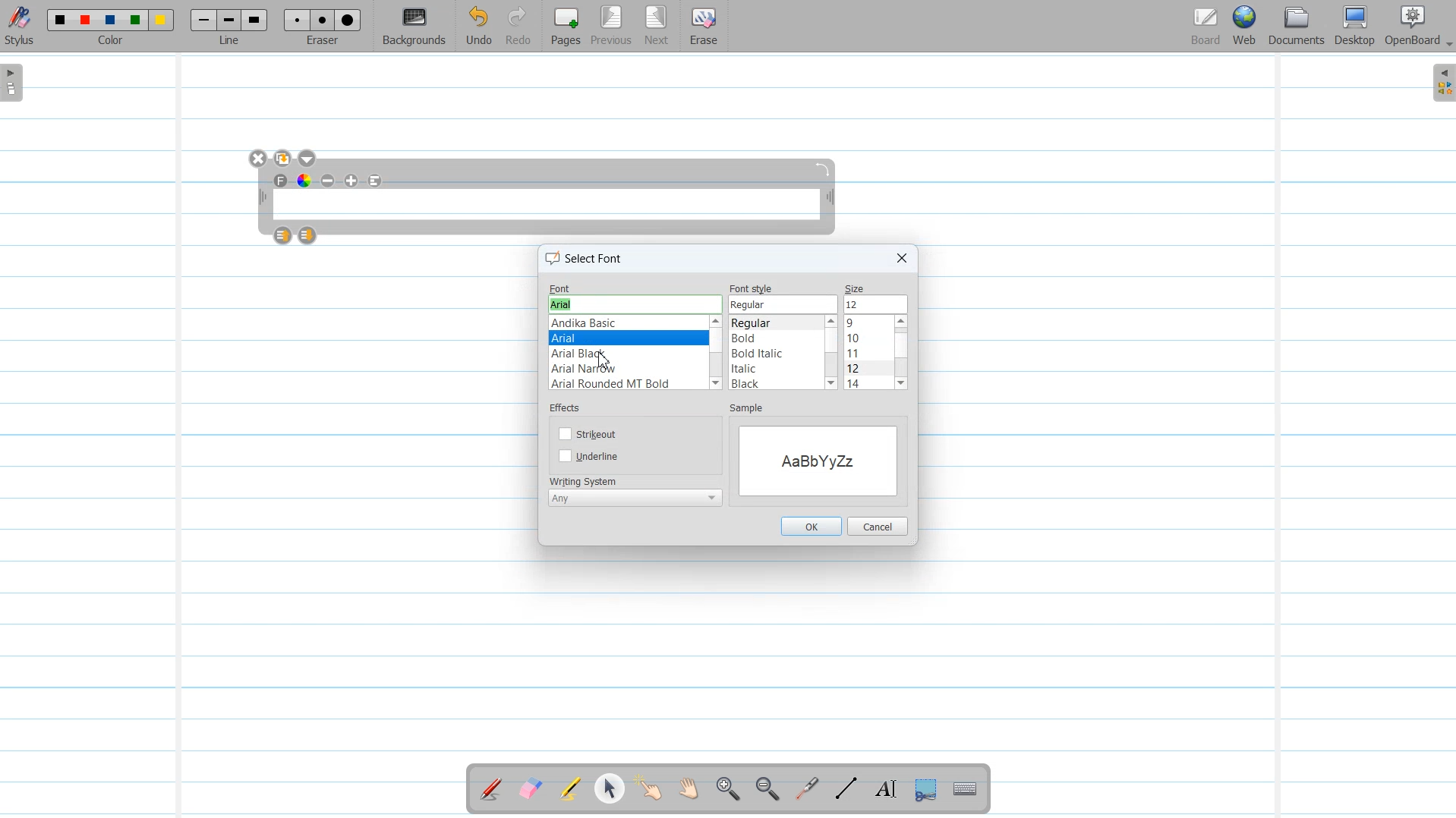 Image resolution: width=1456 pixels, height=818 pixels. Describe the element at coordinates (879, 525) in the screenshot. I see `Cancel` at that location.